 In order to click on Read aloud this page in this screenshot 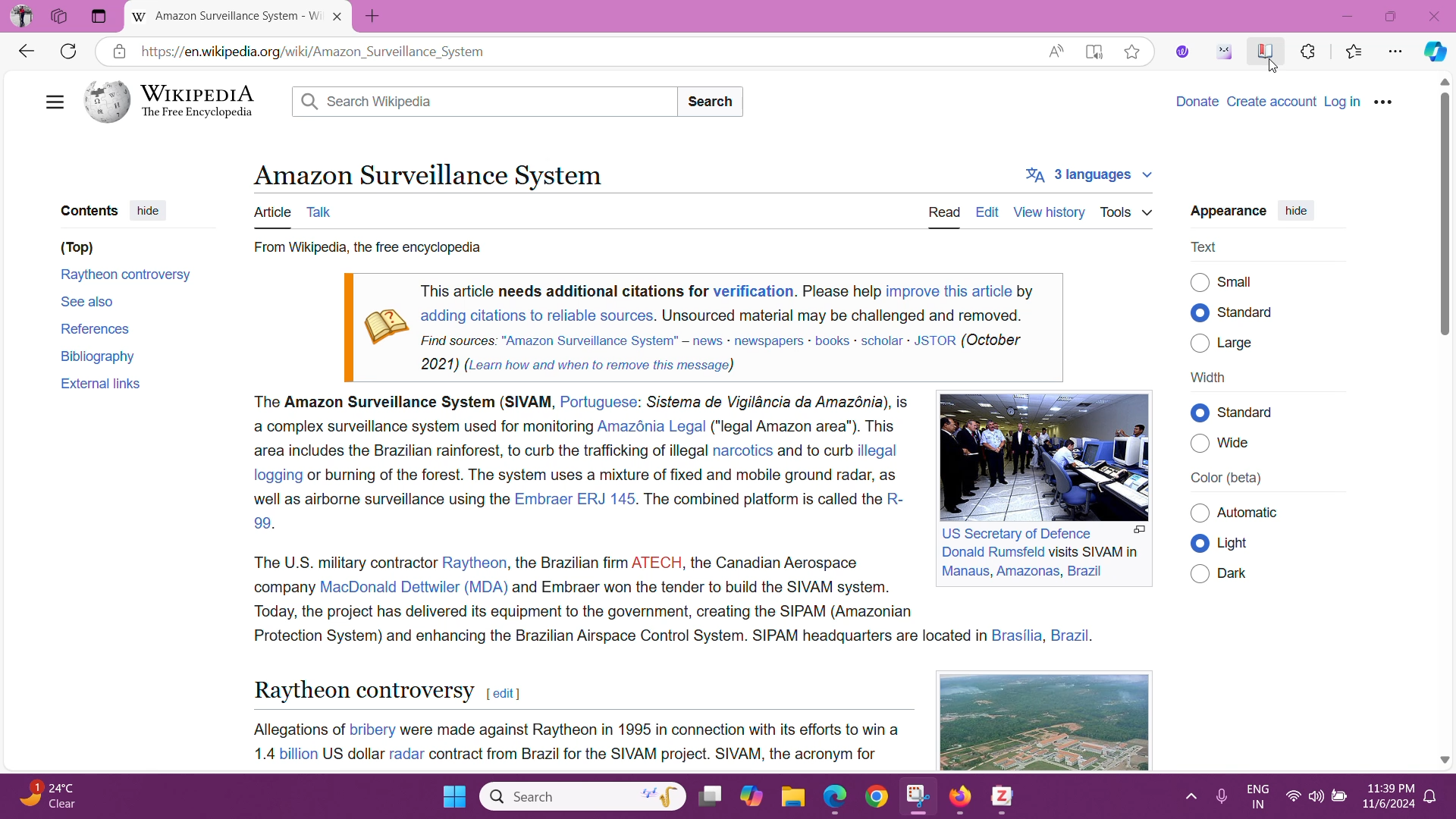, I will do `click(1056, 50)`.